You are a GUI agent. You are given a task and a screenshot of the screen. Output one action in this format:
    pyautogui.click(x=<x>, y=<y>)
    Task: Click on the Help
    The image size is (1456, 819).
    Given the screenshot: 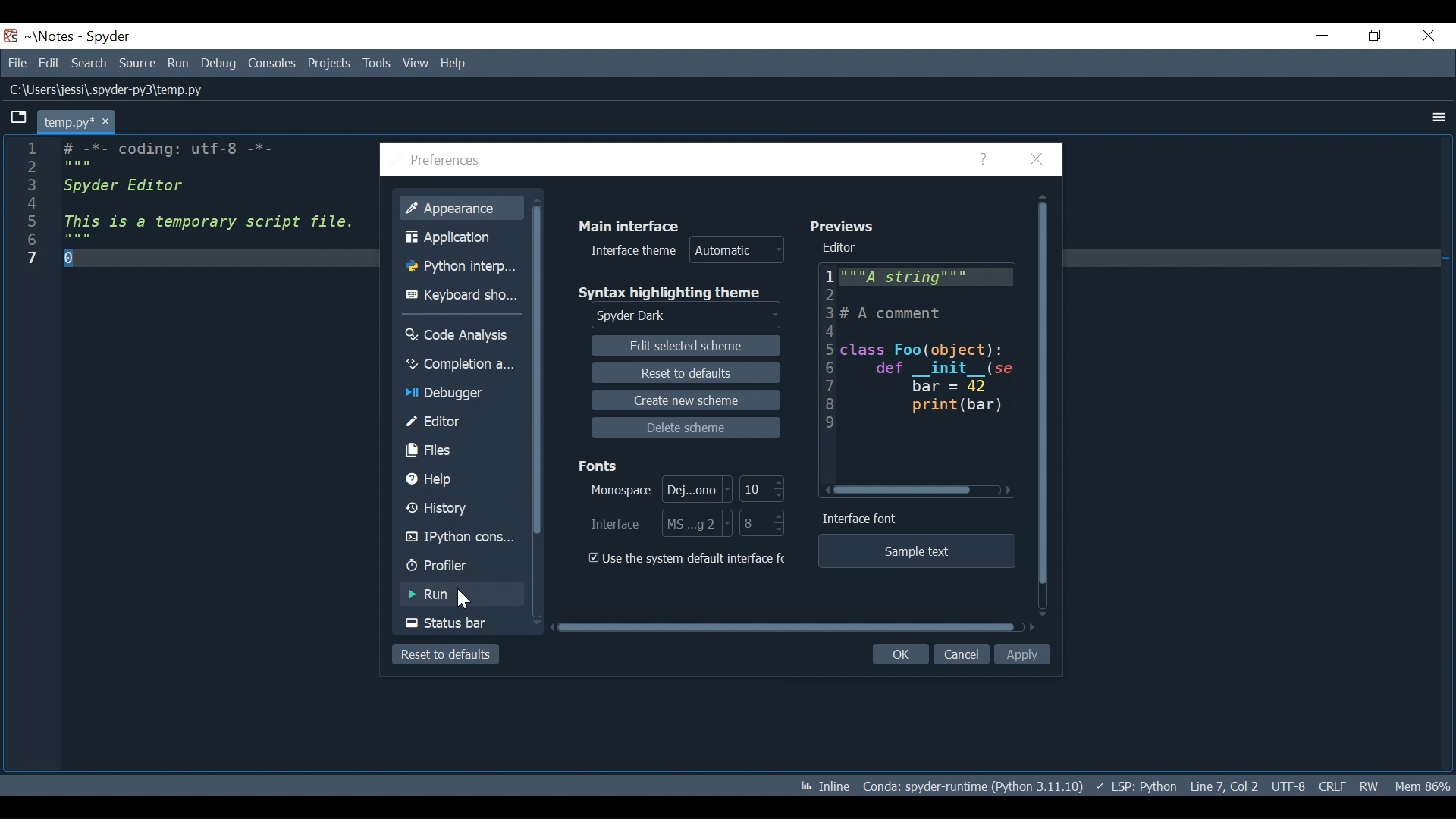 What is the action you would take?
    pyautogui.click(x=987, y=159)
    